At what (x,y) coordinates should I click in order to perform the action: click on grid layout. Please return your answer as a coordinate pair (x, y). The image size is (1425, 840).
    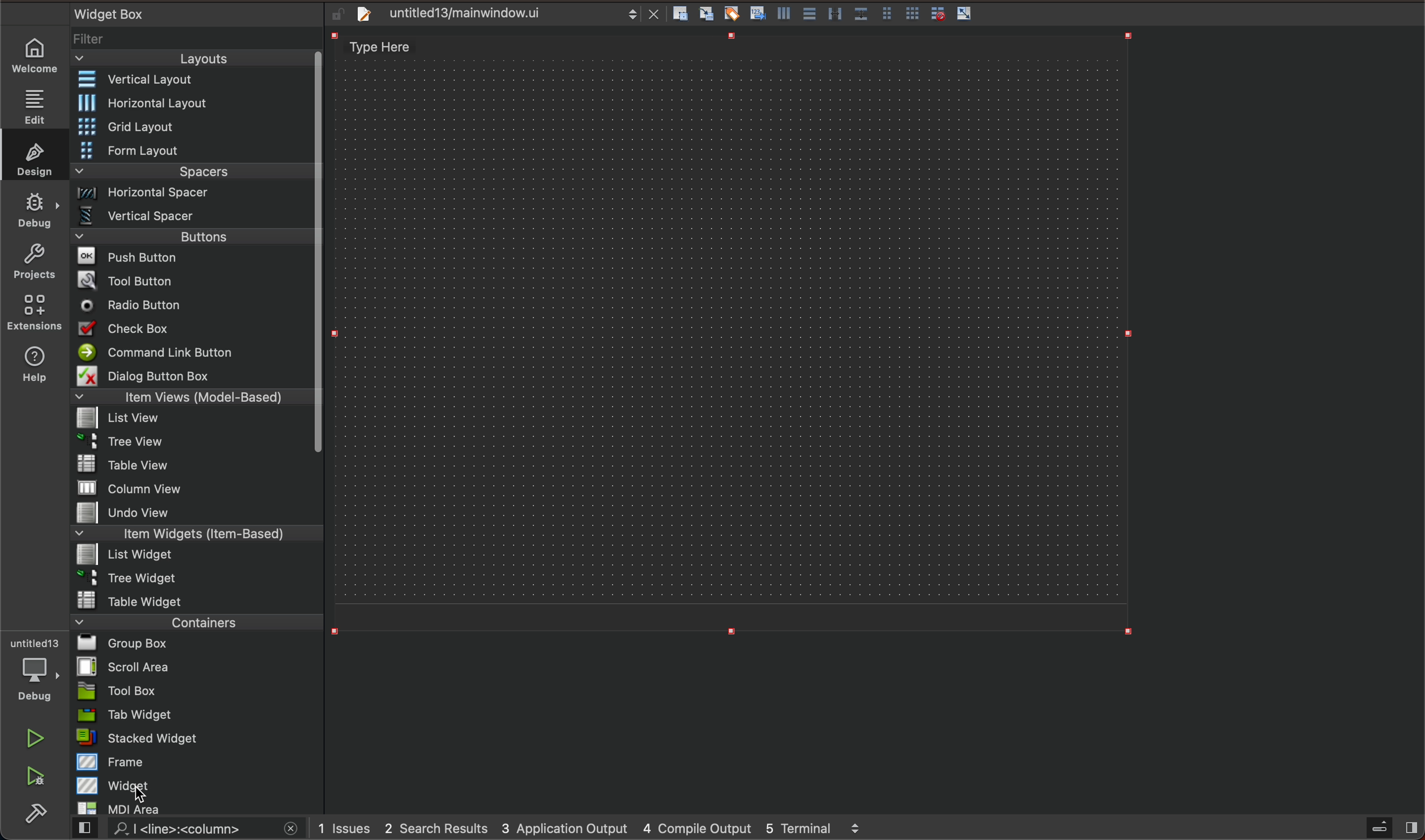
    Looking at the image, I should click on (198, 126).